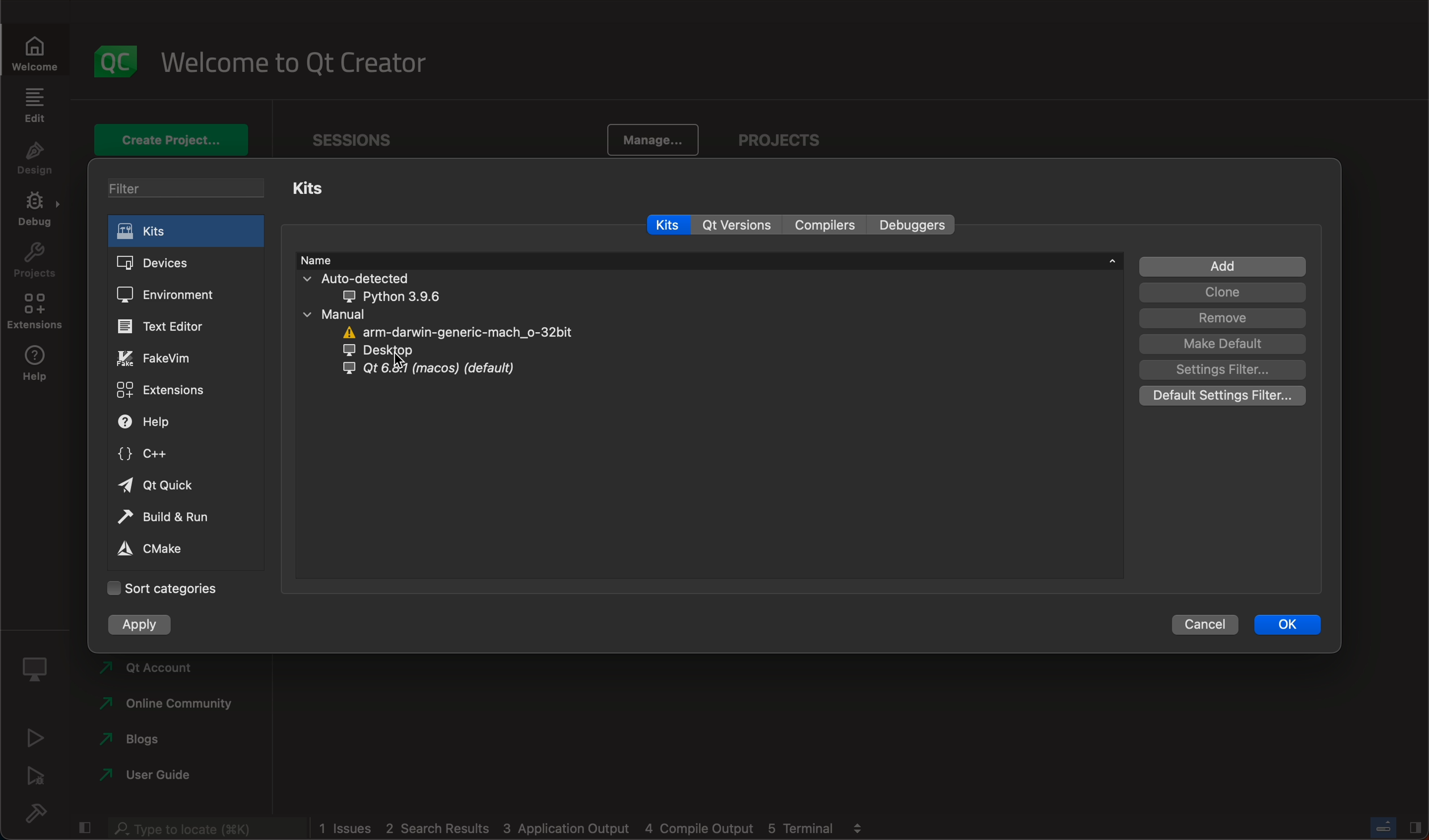  What do you see at coordinates (174, 296) in the screenshot?
I see `environment` at bounding box center [174, 296].